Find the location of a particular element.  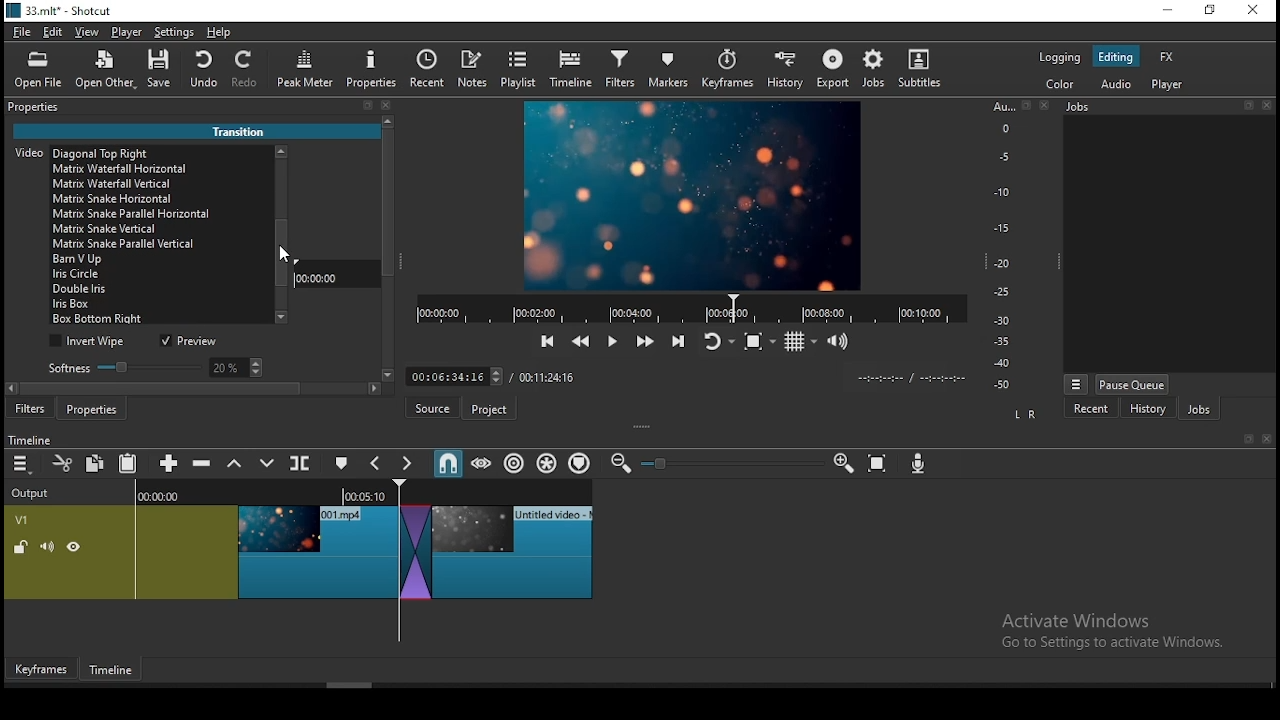

append is located at coordinates (170, 464).